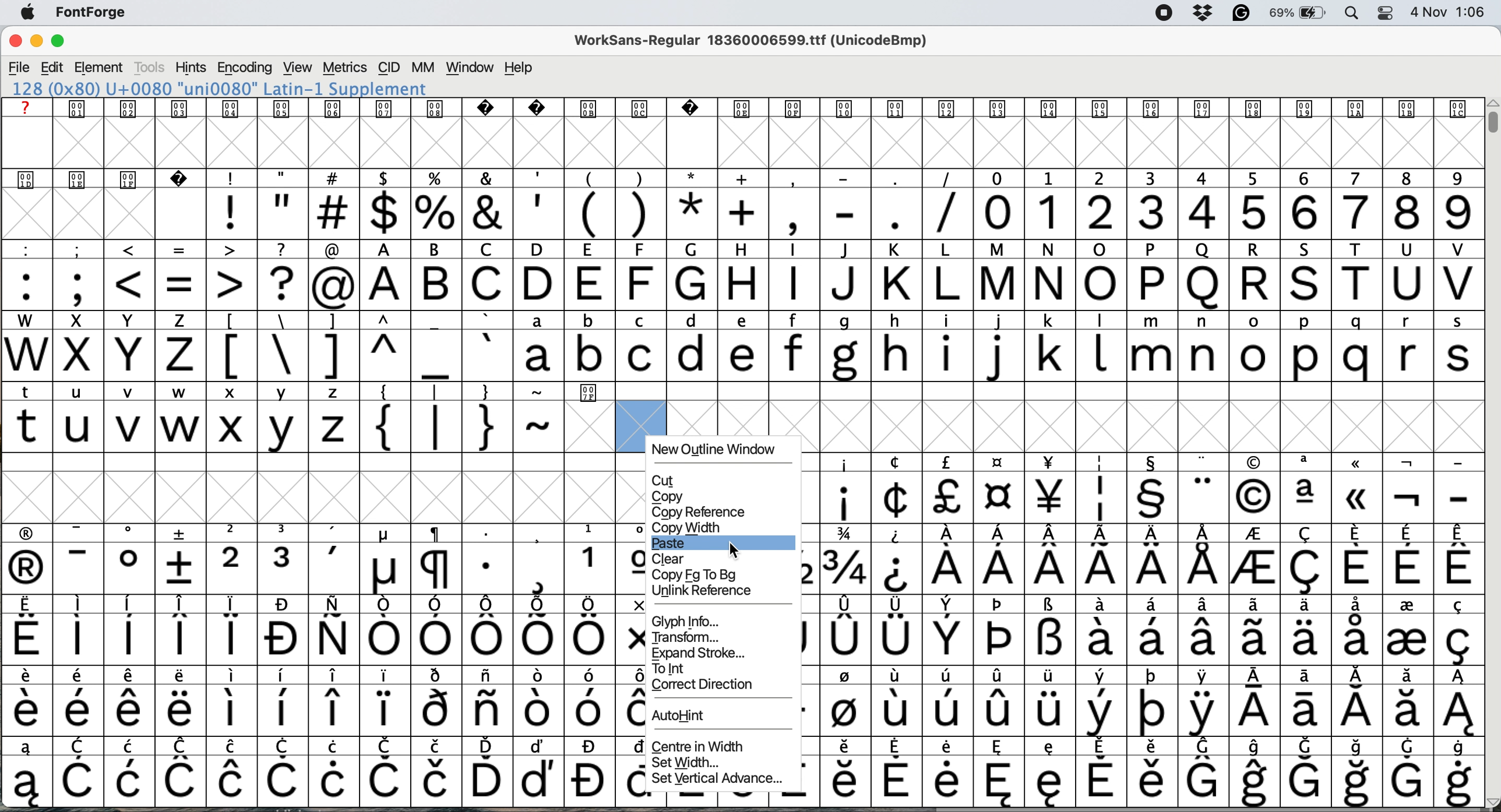  I want to click on WorkSans-Regular 18360006599.ttf (UnicodeBmp), so click(756, 43).